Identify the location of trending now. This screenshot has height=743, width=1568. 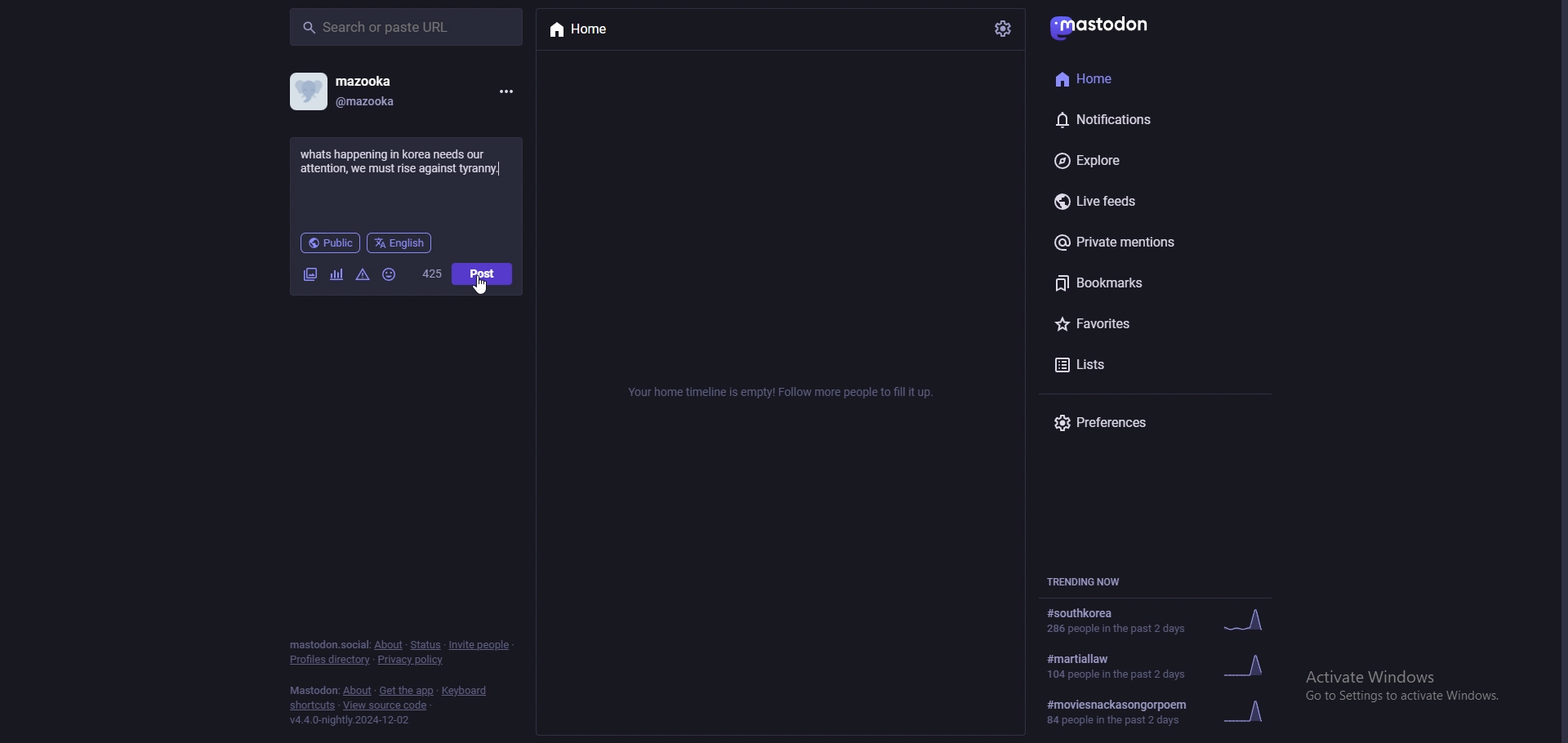
(1090, 580).